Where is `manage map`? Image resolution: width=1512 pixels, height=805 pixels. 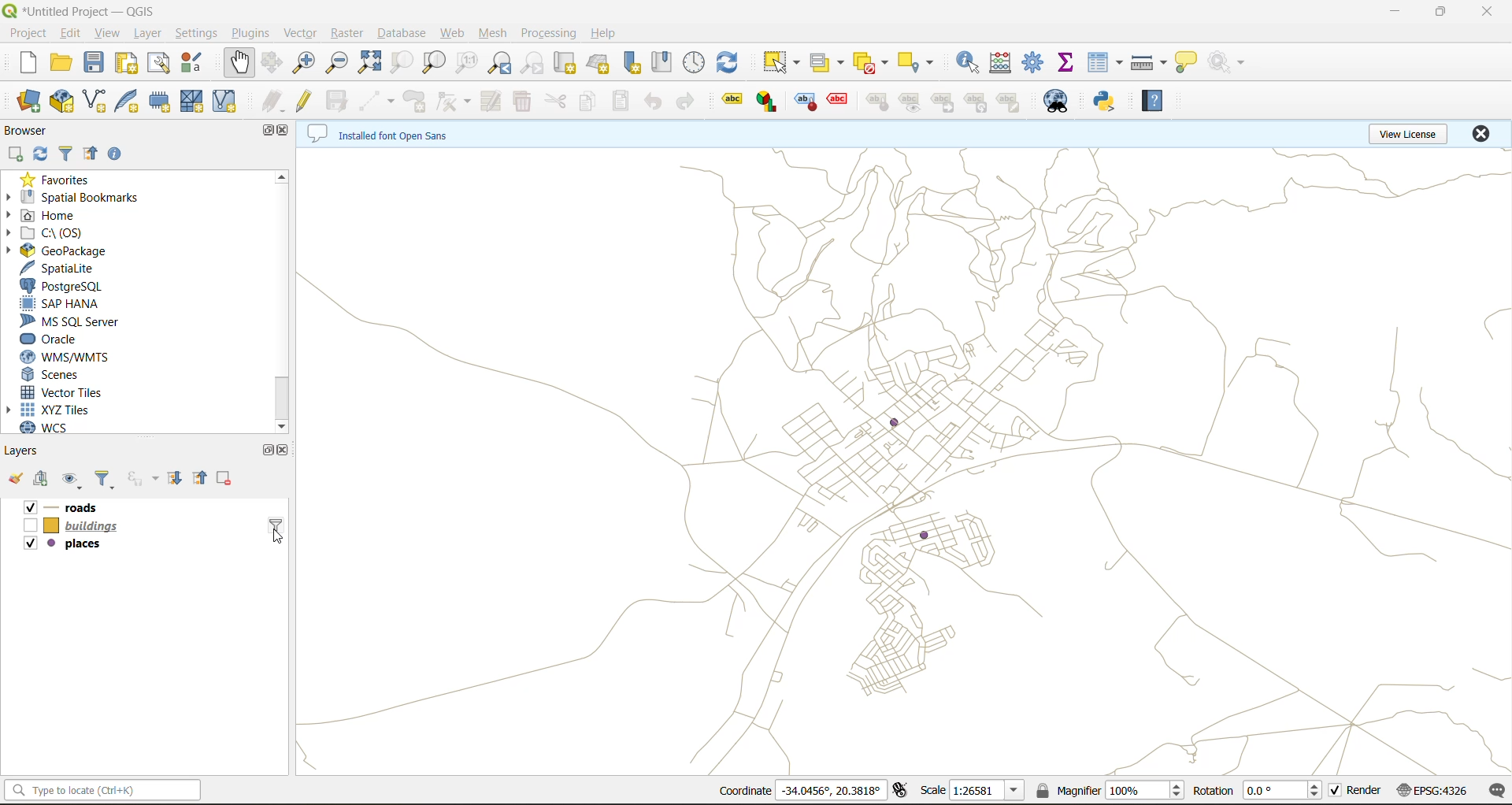
manage map is located at coordinates (74, 478).